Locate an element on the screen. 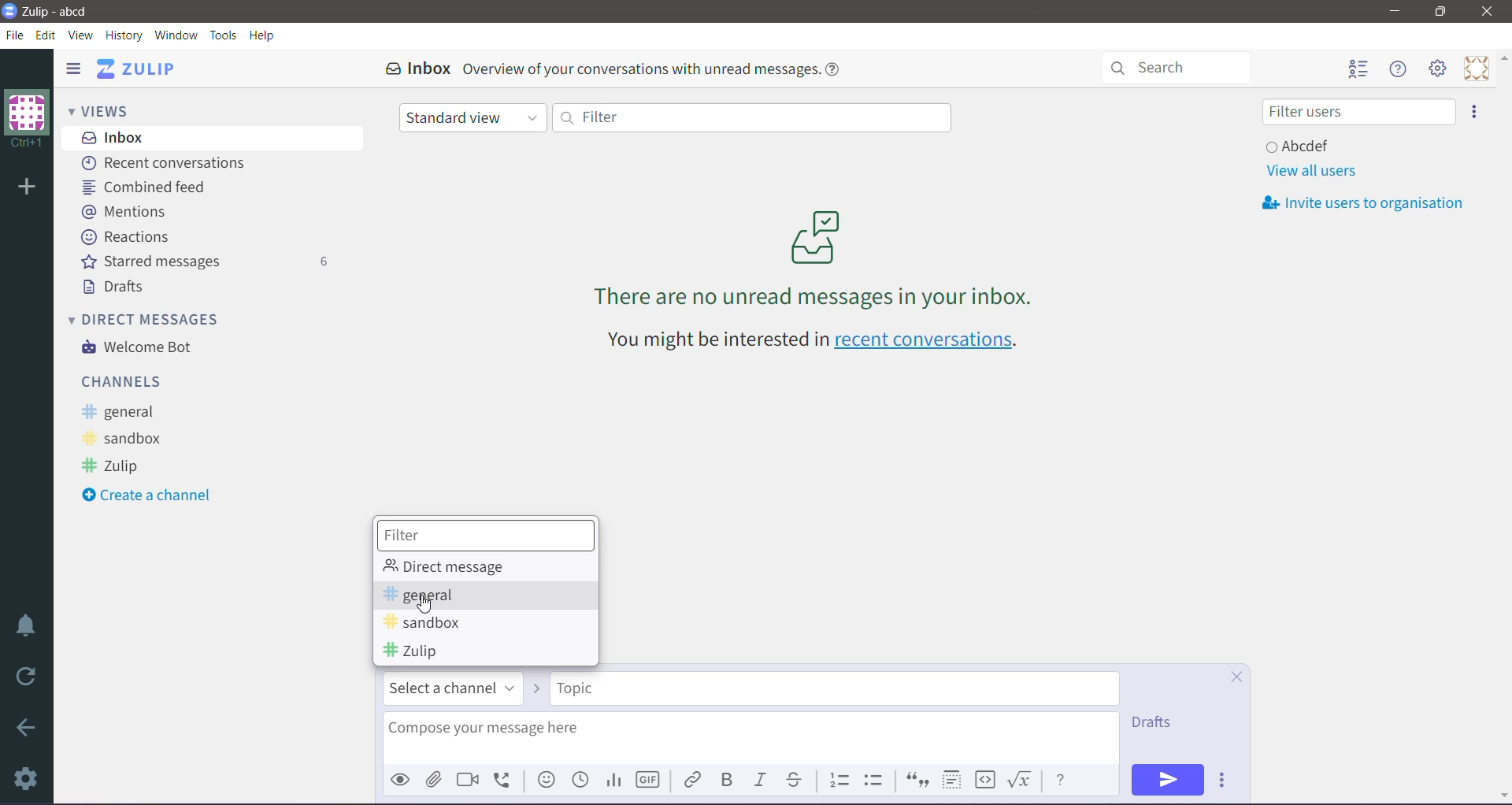  View is located at coordinates (82, 35).